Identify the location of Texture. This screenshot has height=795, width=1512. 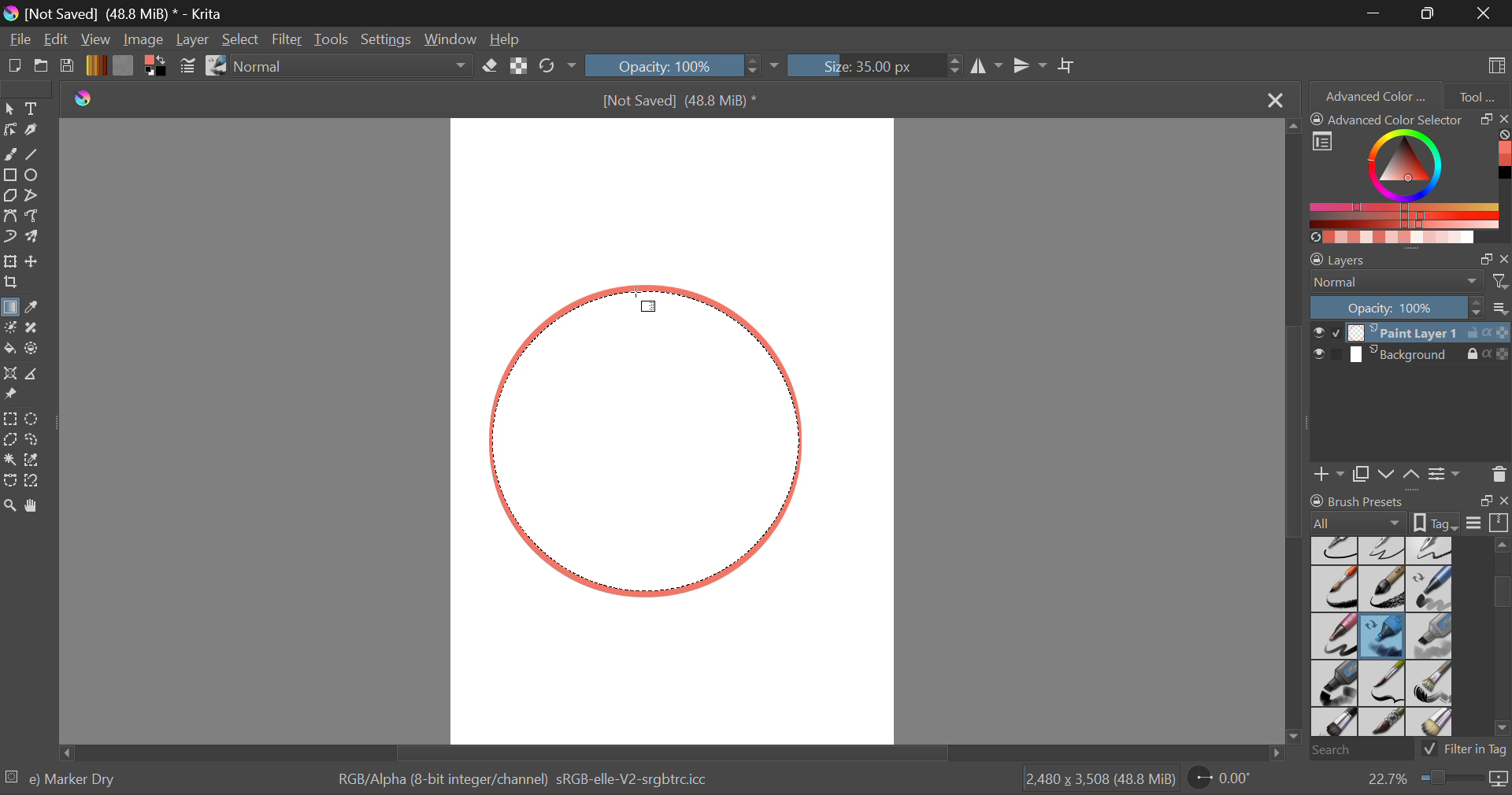
(123, 65).